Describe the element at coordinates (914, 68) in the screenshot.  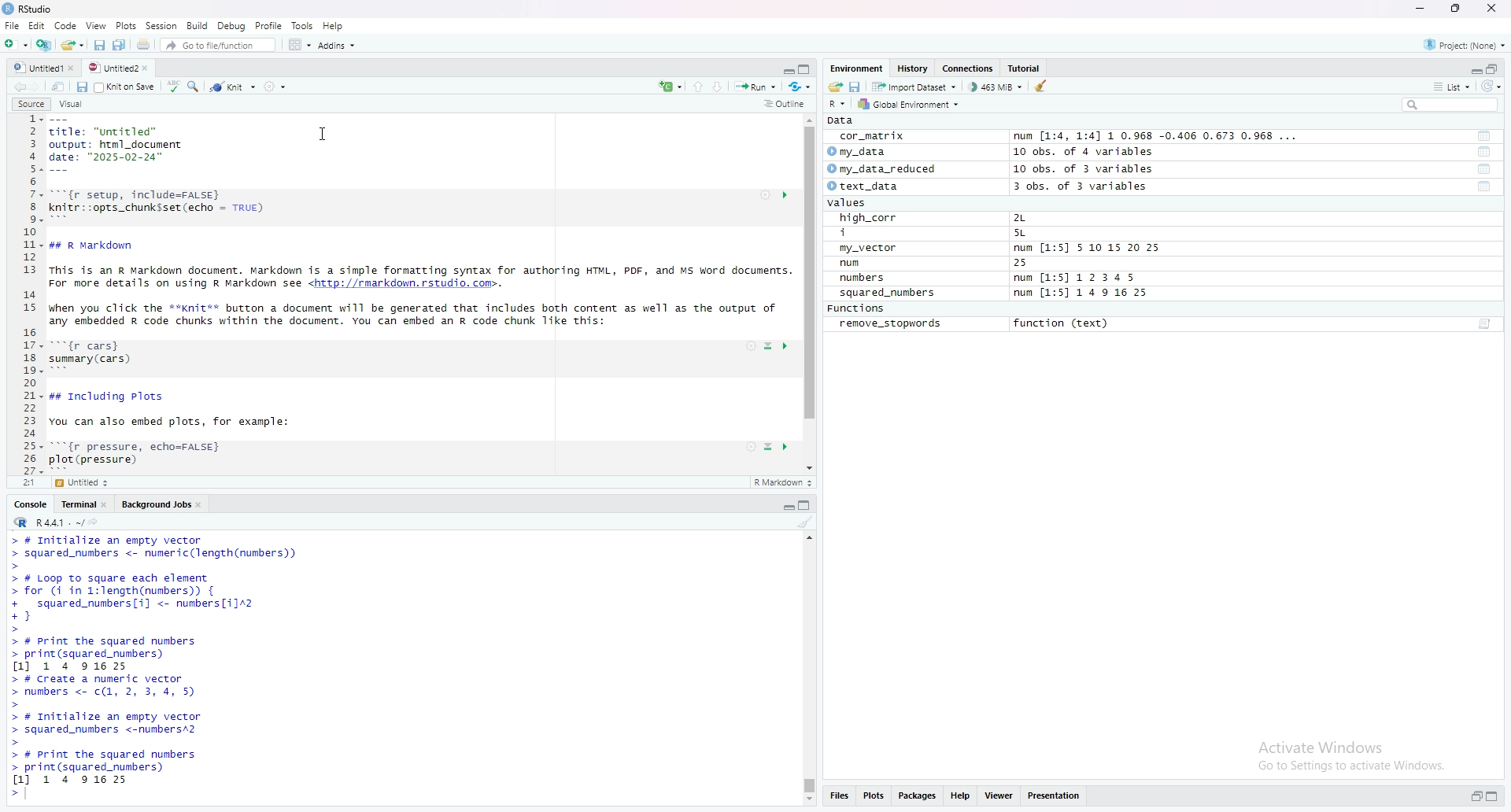
I see `History` at that location.